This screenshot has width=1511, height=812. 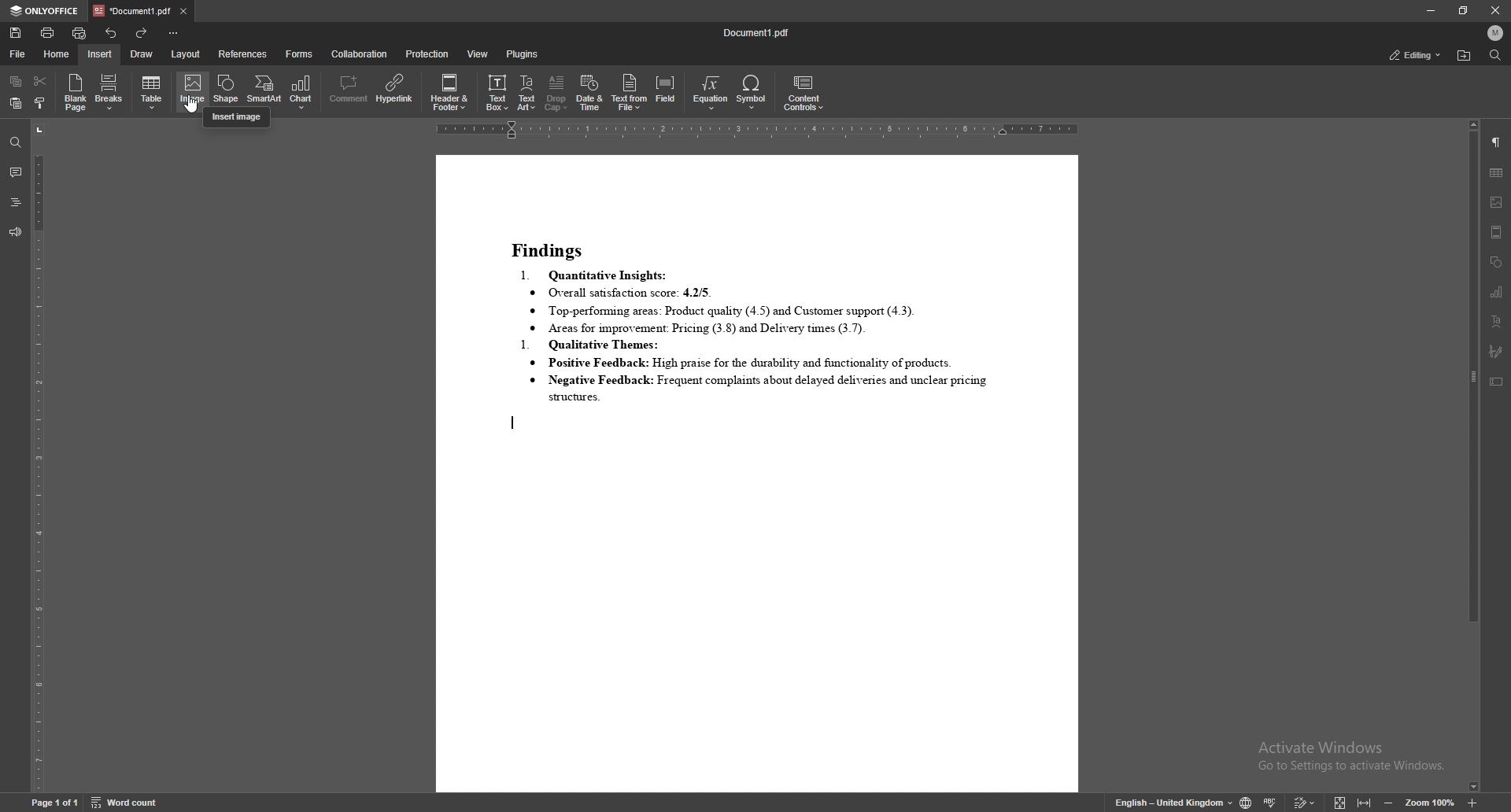 I want to click on spell check, so click(x=1271, y=803).